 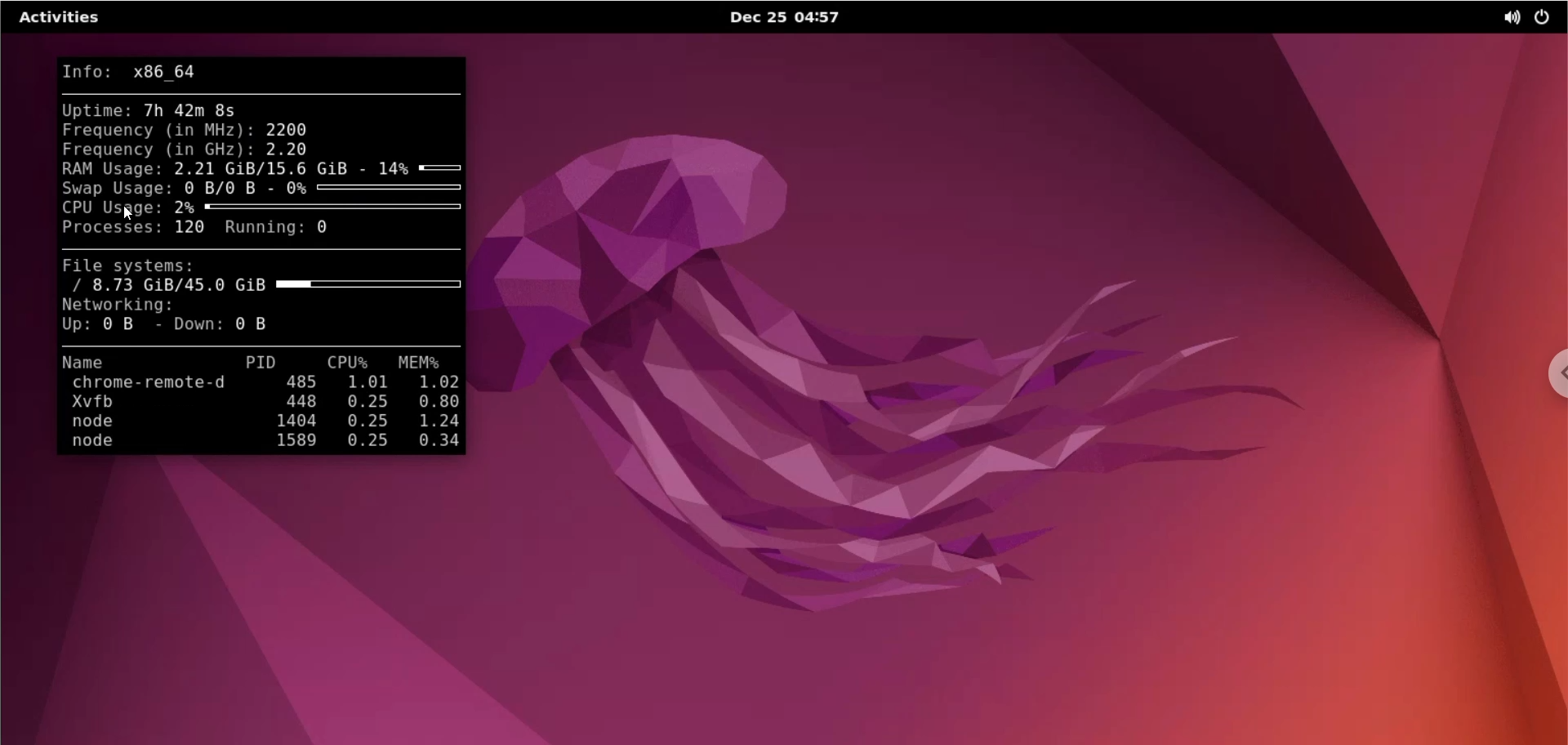 What do you see at coordinates (253, 363) in the screenshot?
I see `PID` at bounding box center [253, 363].